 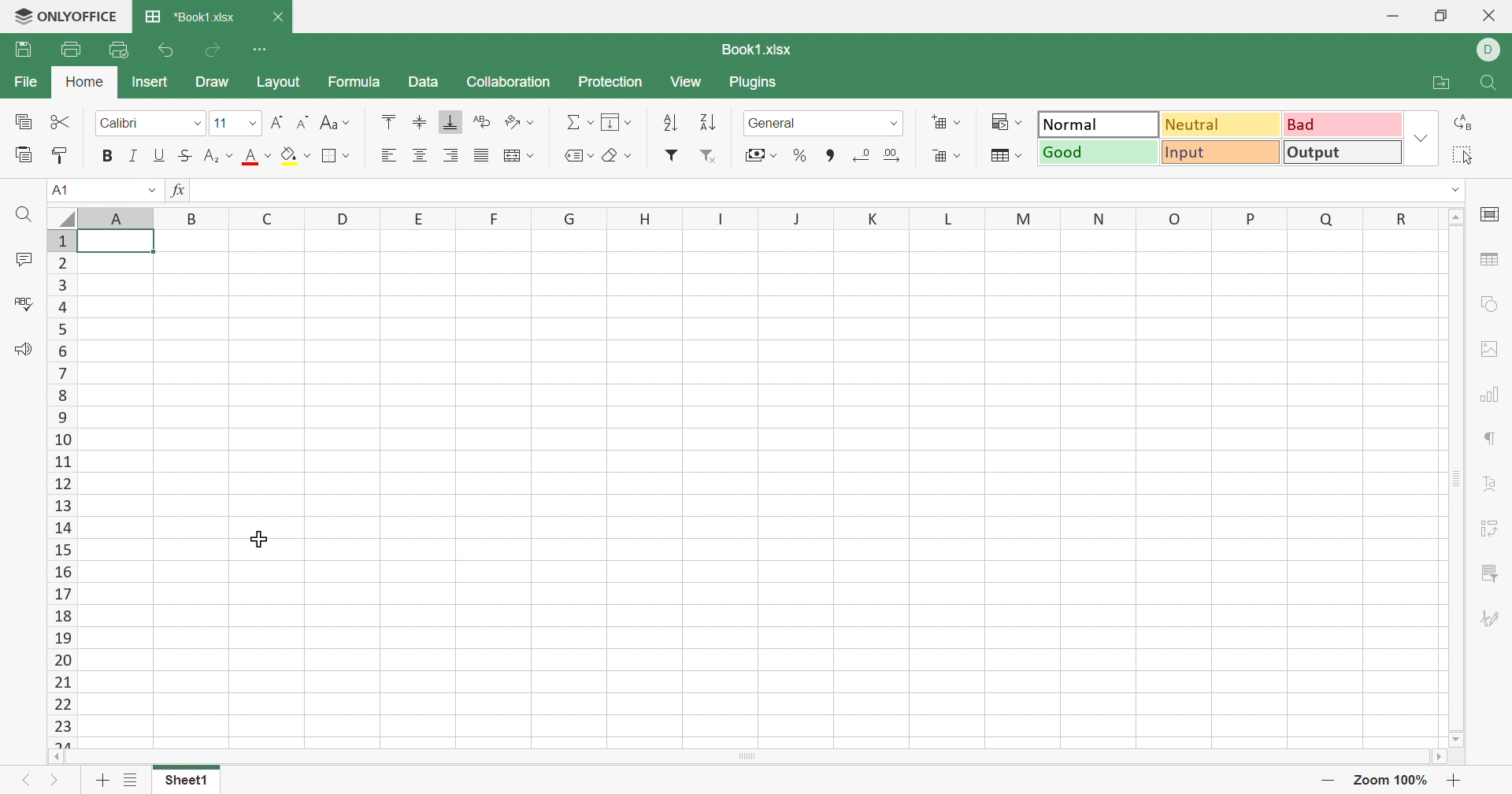 I want to click on View, so click(x=687, y=82).